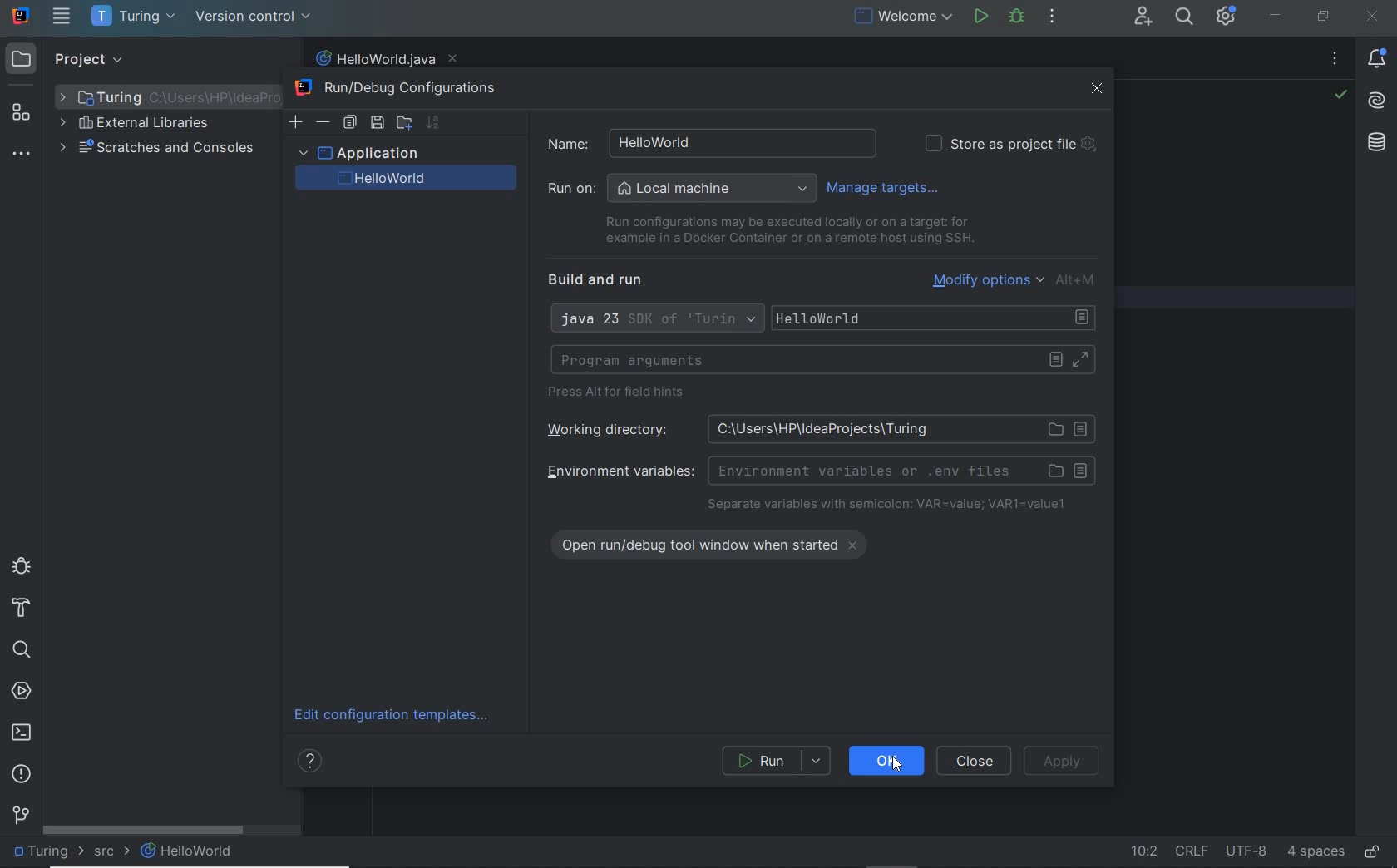 This screenshot has height=868, width=1397. What do you see at coordinates (385, 59) in the screenshot?
I see `file name` at bounding box center [385, 59].